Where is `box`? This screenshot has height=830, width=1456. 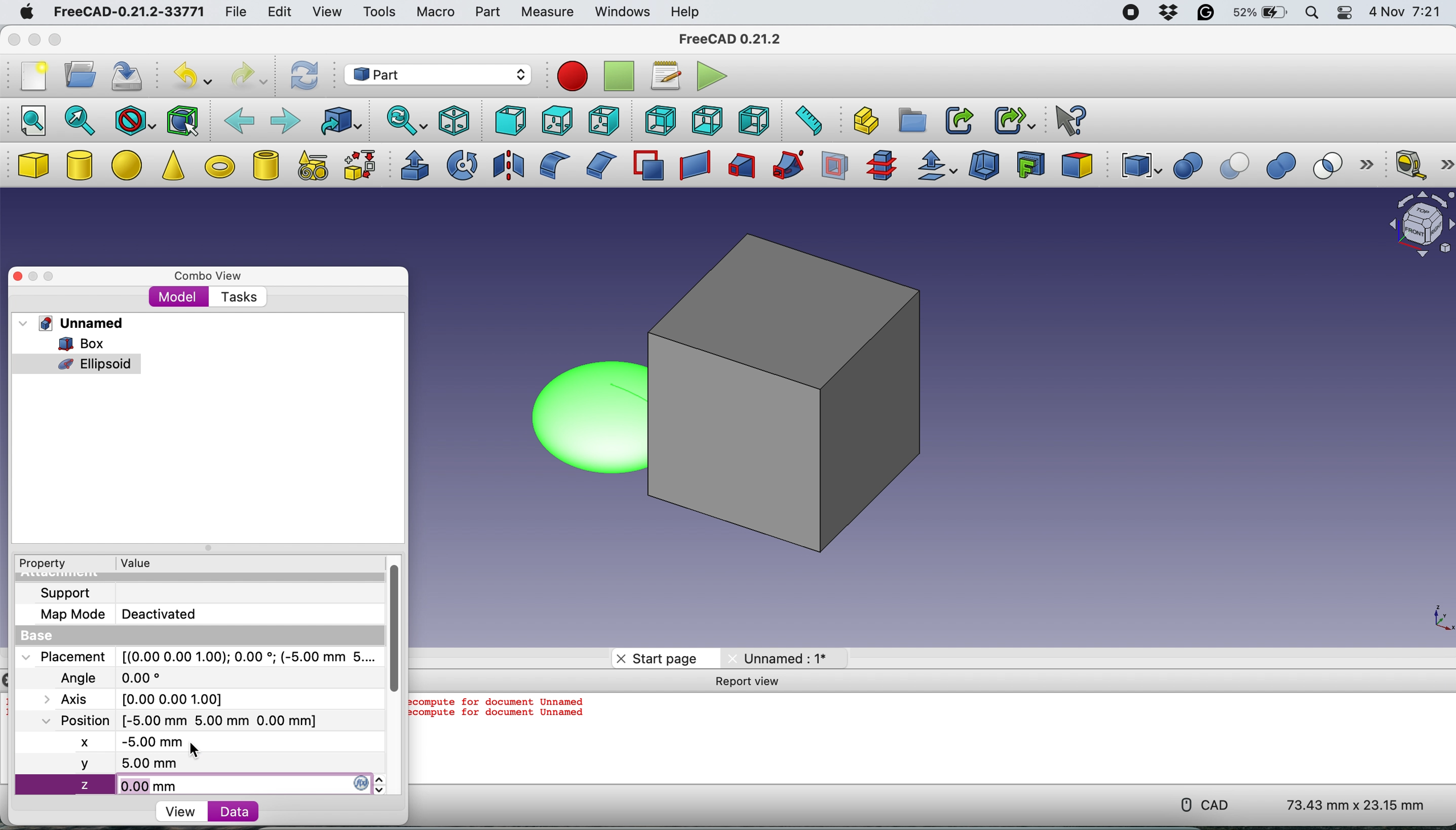
box is located at coordinates (32, 166).